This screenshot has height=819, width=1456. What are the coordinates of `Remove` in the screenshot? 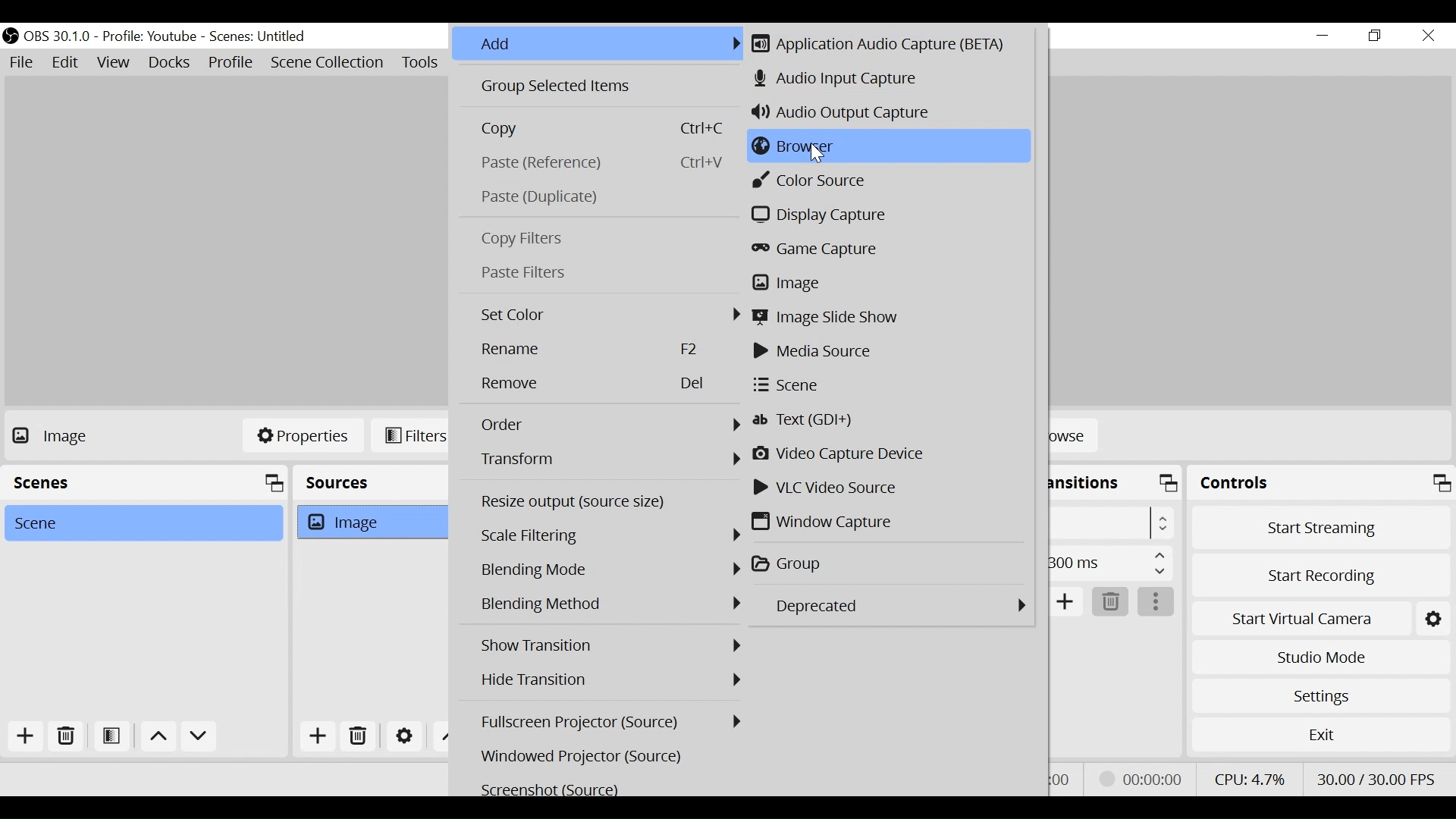 It's located at (604, 384).